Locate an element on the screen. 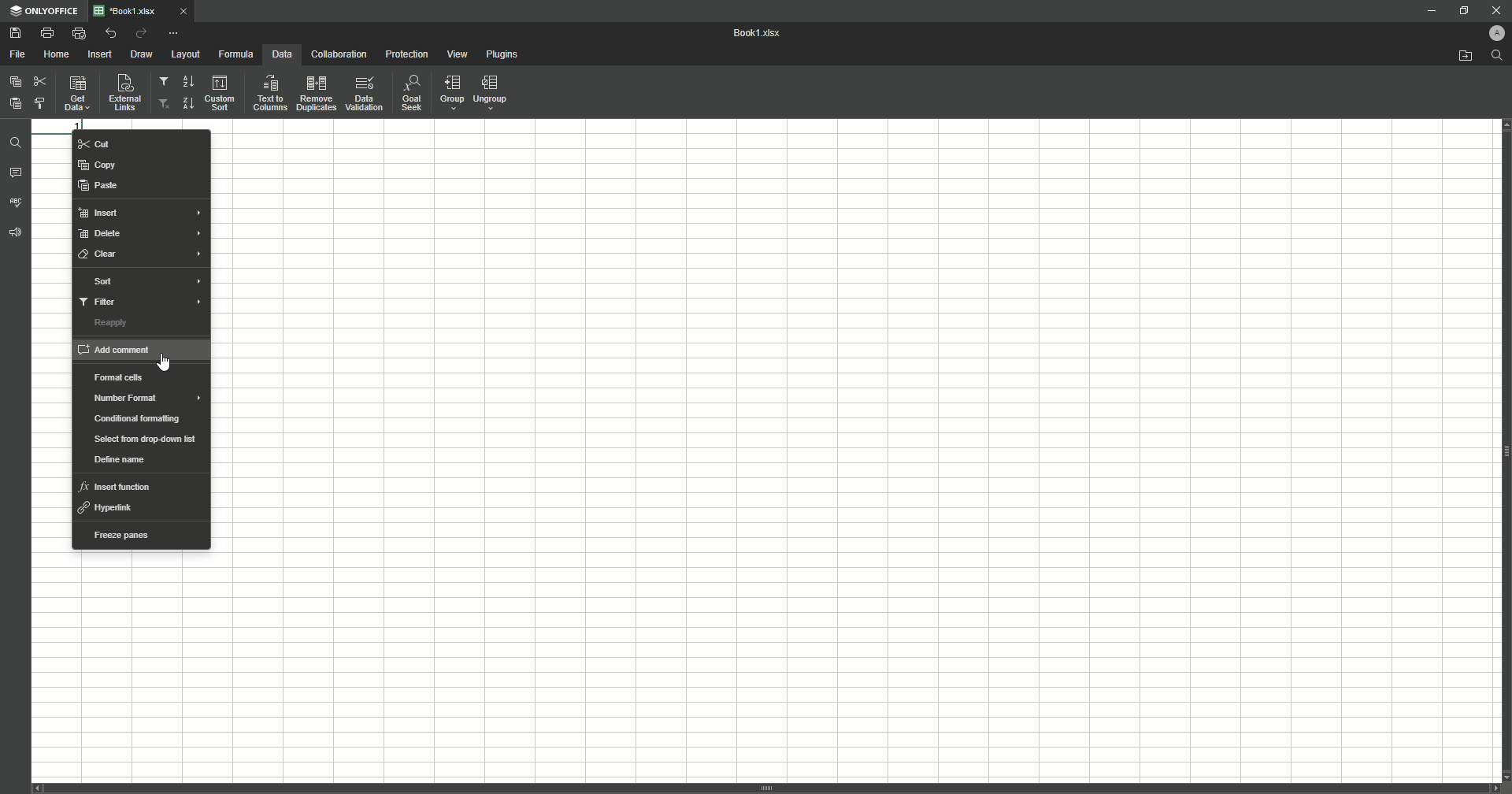 This screenshot has width=1512, height=794. Sort Up is located at coordinates (187, 103).